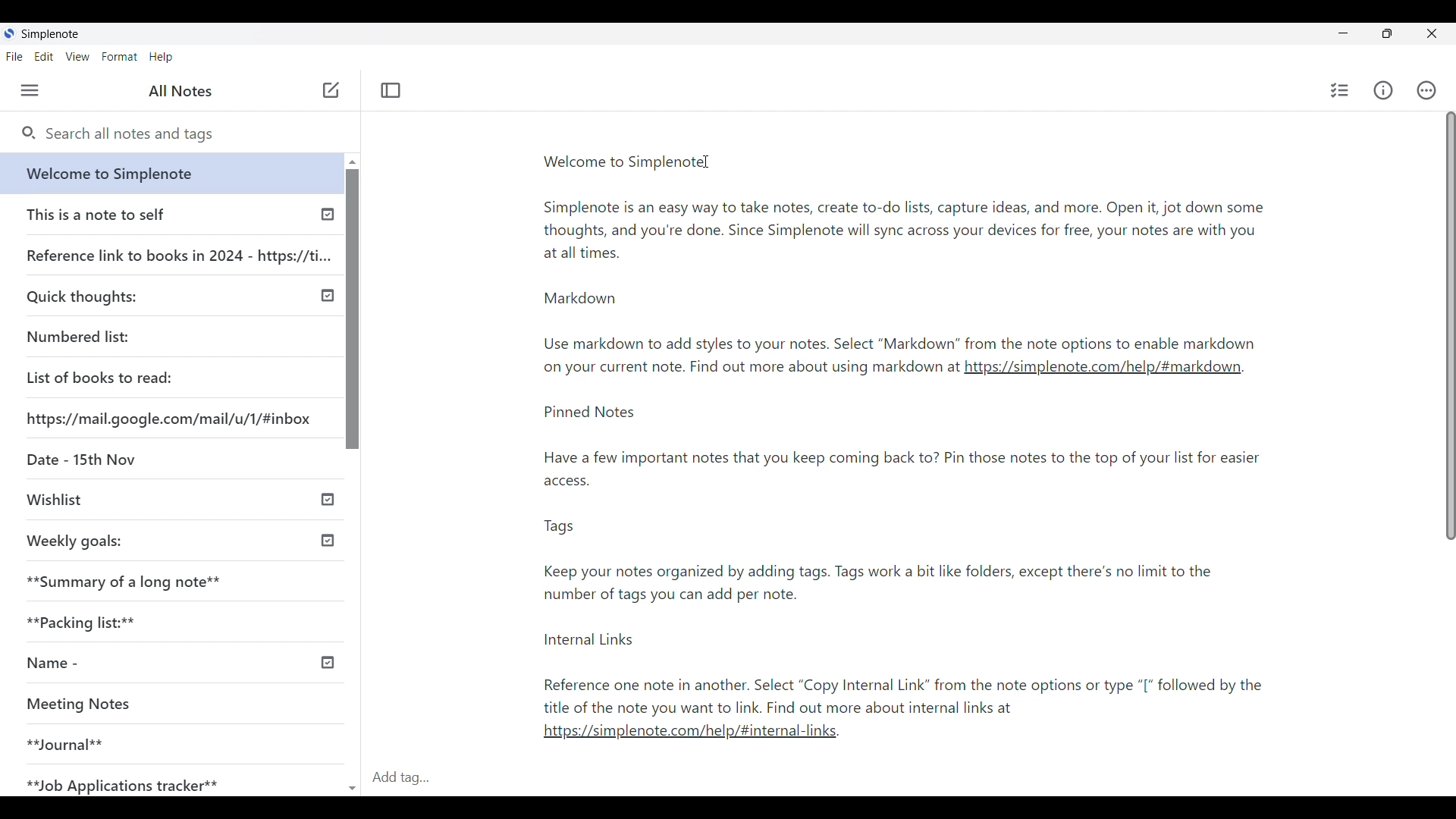 Image resolution: width=1456 pixels, height=819 pixels. I want to click on Minimize, so click(1342, 33).